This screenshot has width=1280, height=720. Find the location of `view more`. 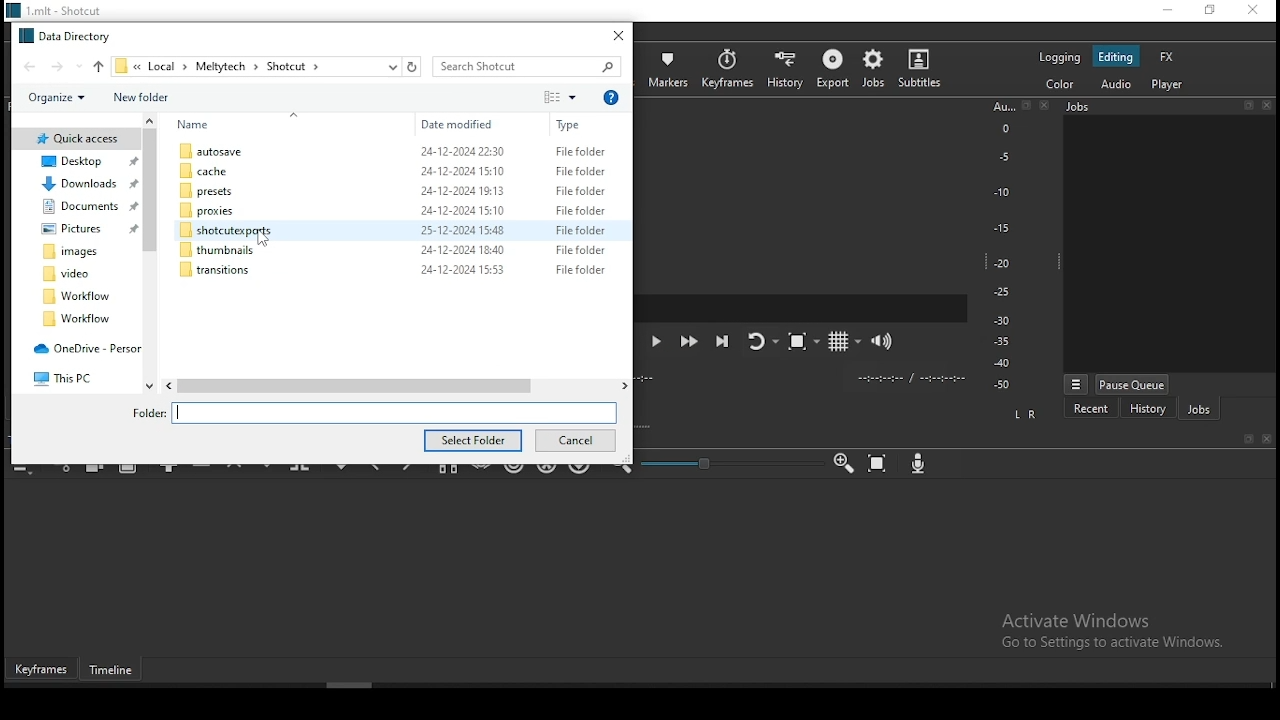

view more is located at coordinates (1075, 383).